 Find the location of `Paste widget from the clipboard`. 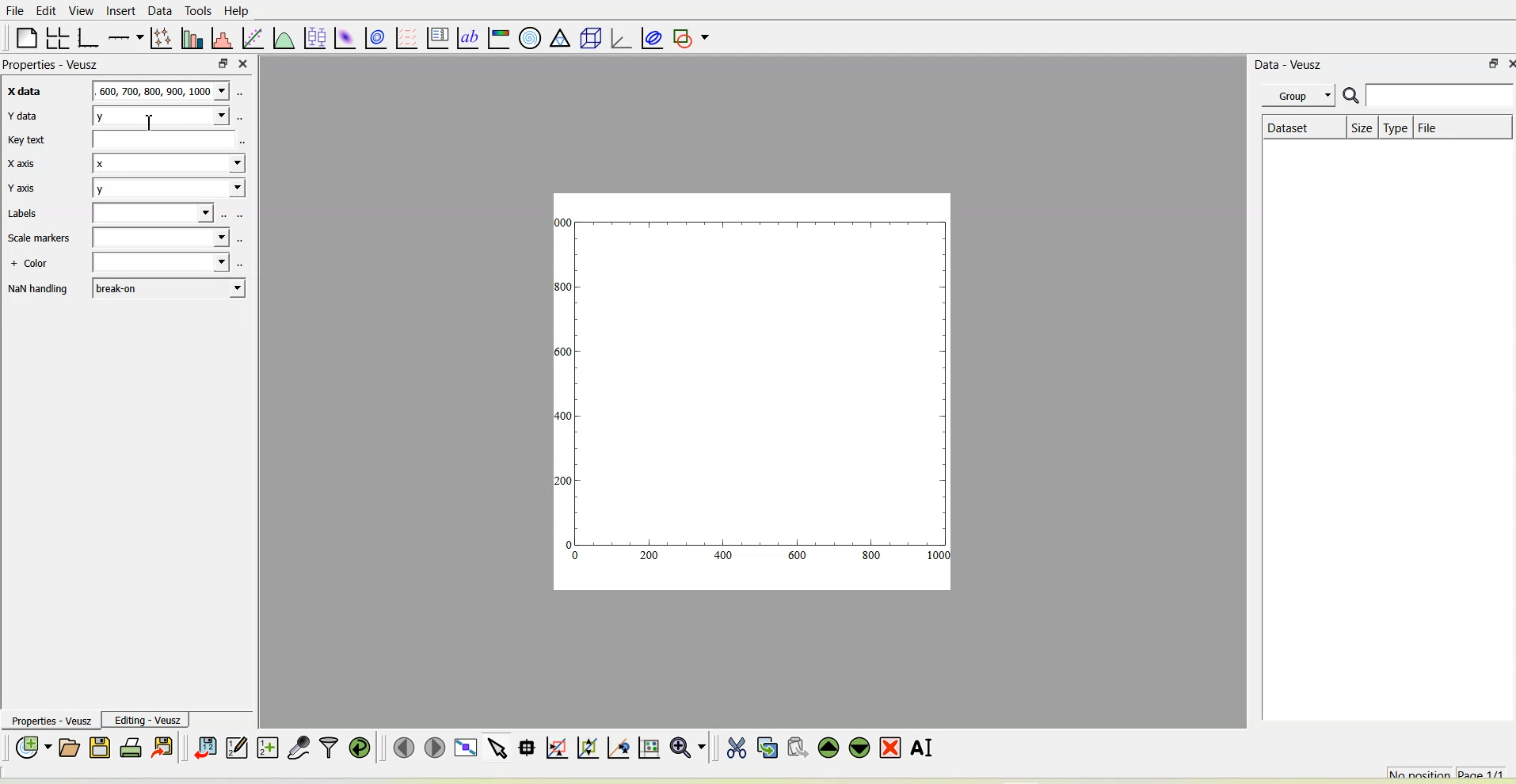

Paste widget from the clipboard is located at coordinates (798, 748).